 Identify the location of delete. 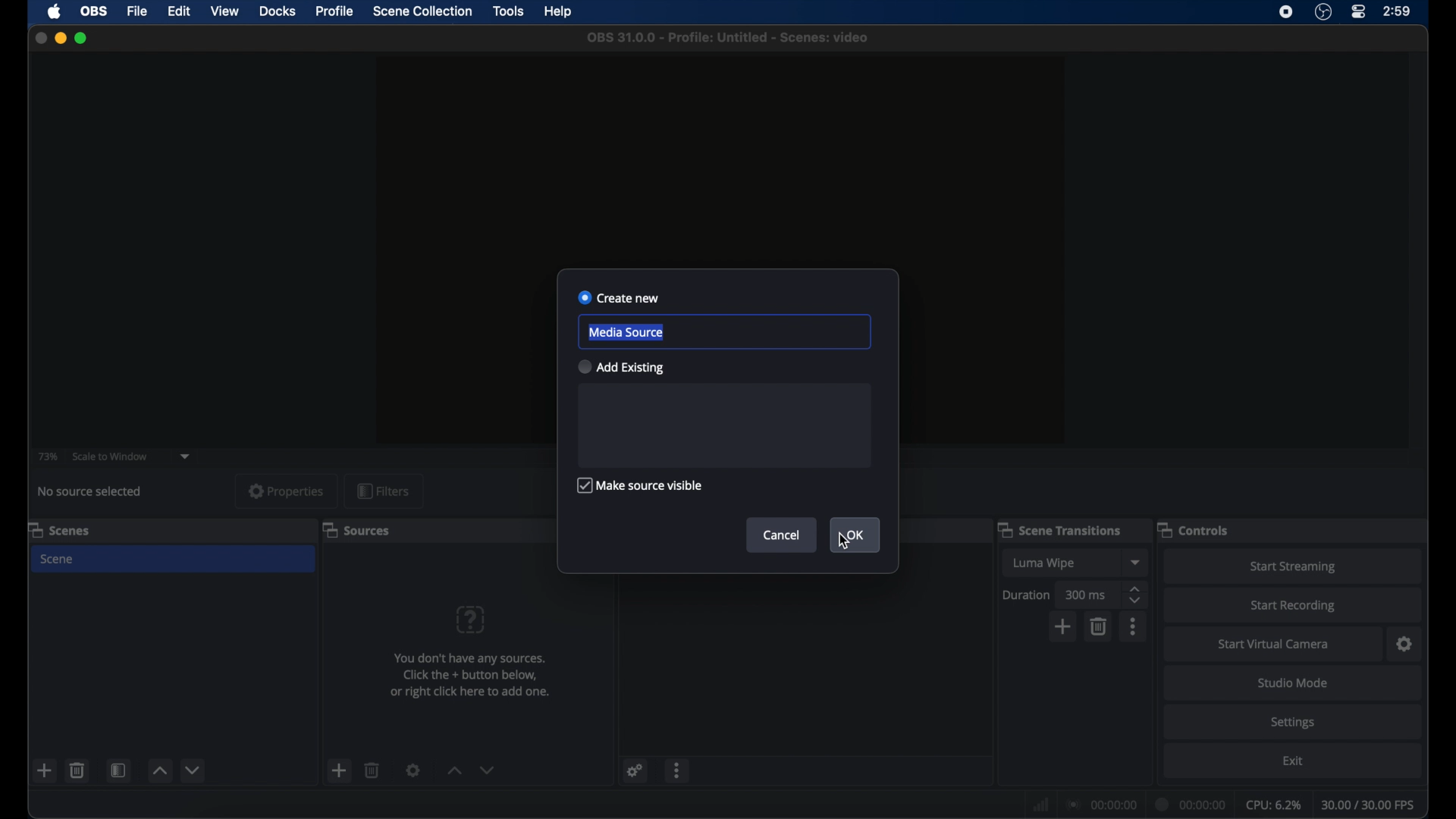
(1100, 627).